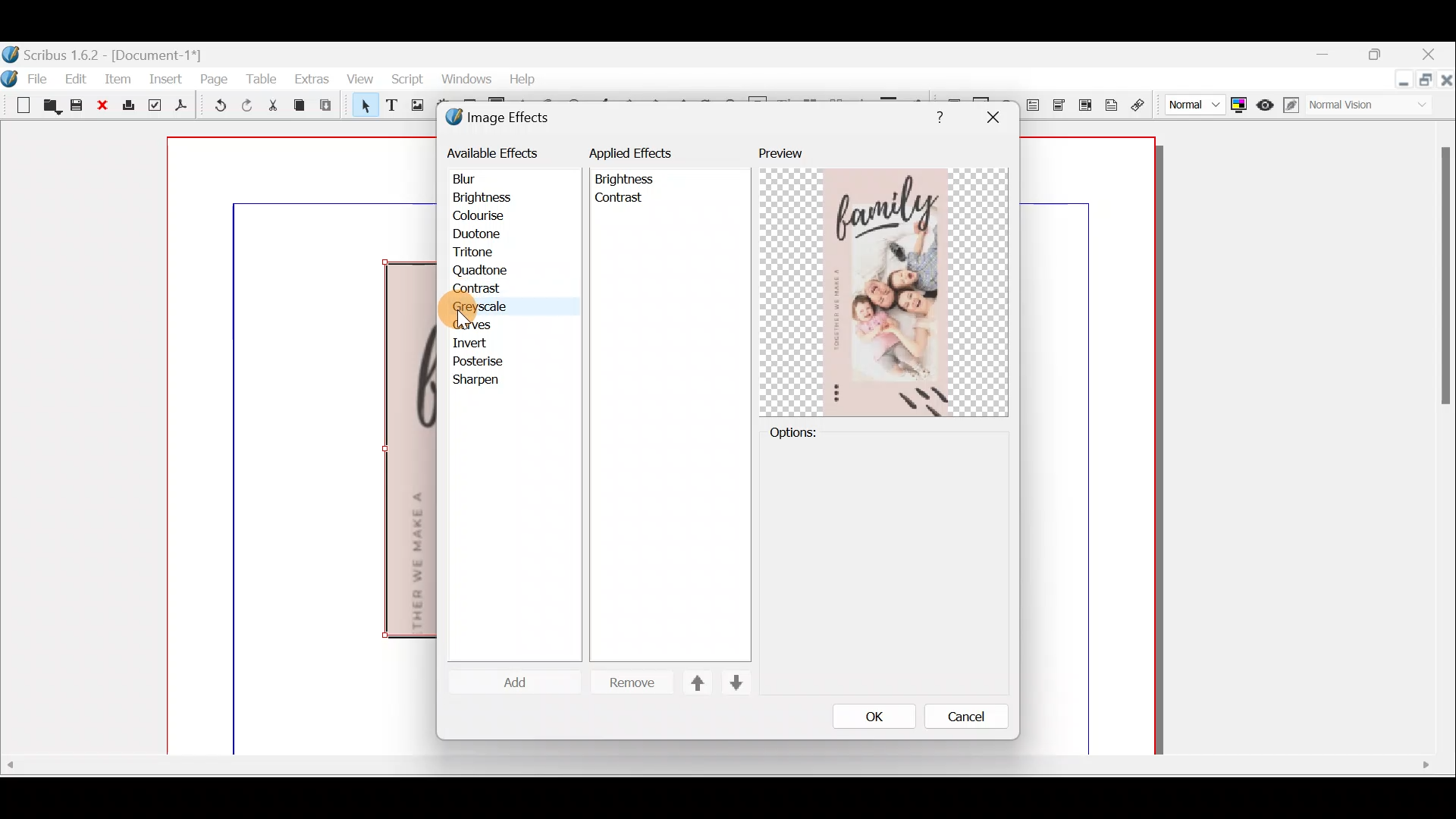 The height and width of the screenshot is (819, 1456). Describe the element at coordinates (1423, 83) in the screenshot. I see `maximise` at that location.